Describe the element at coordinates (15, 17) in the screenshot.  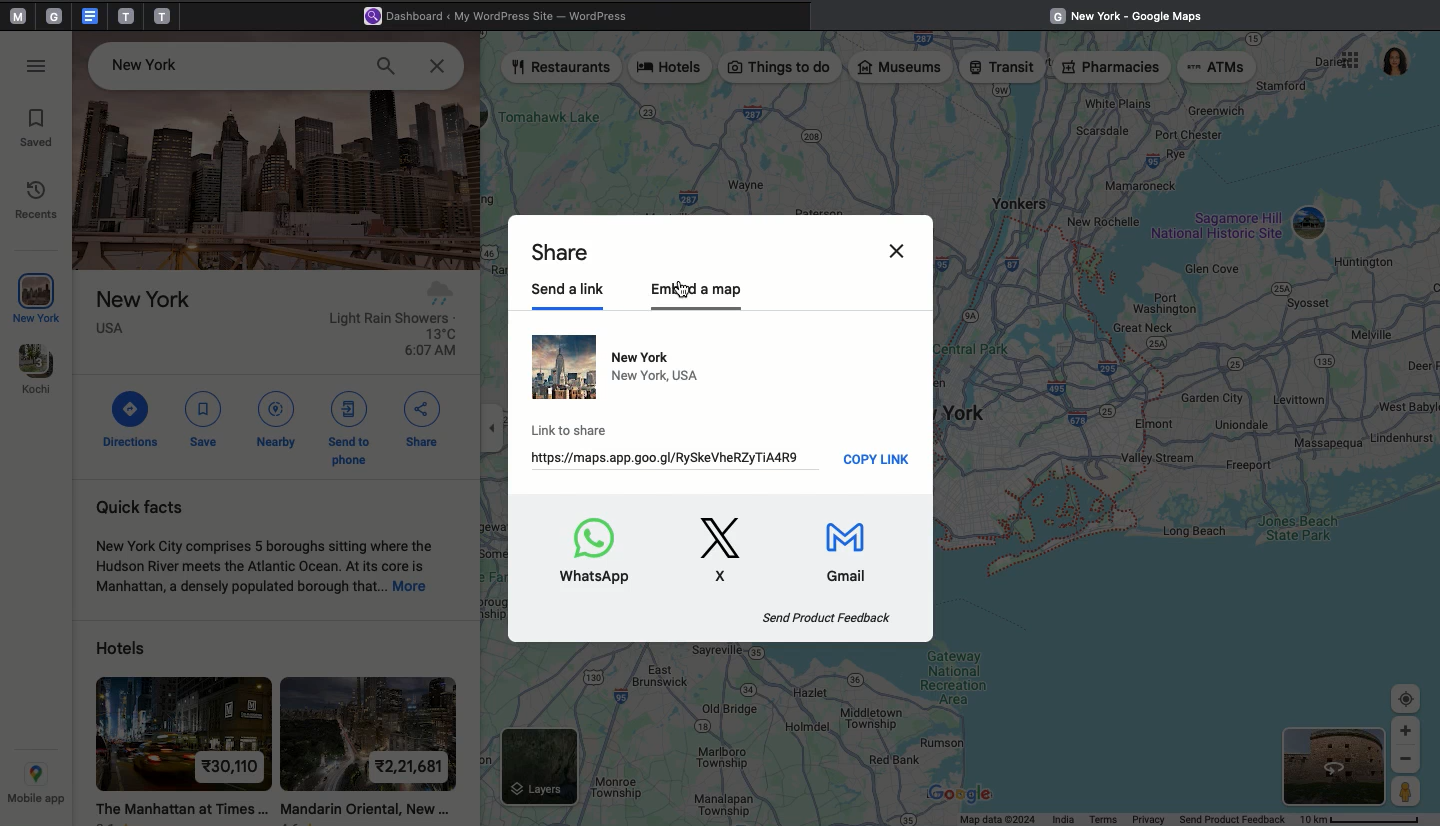
I see `Pinned tabs` at that location.